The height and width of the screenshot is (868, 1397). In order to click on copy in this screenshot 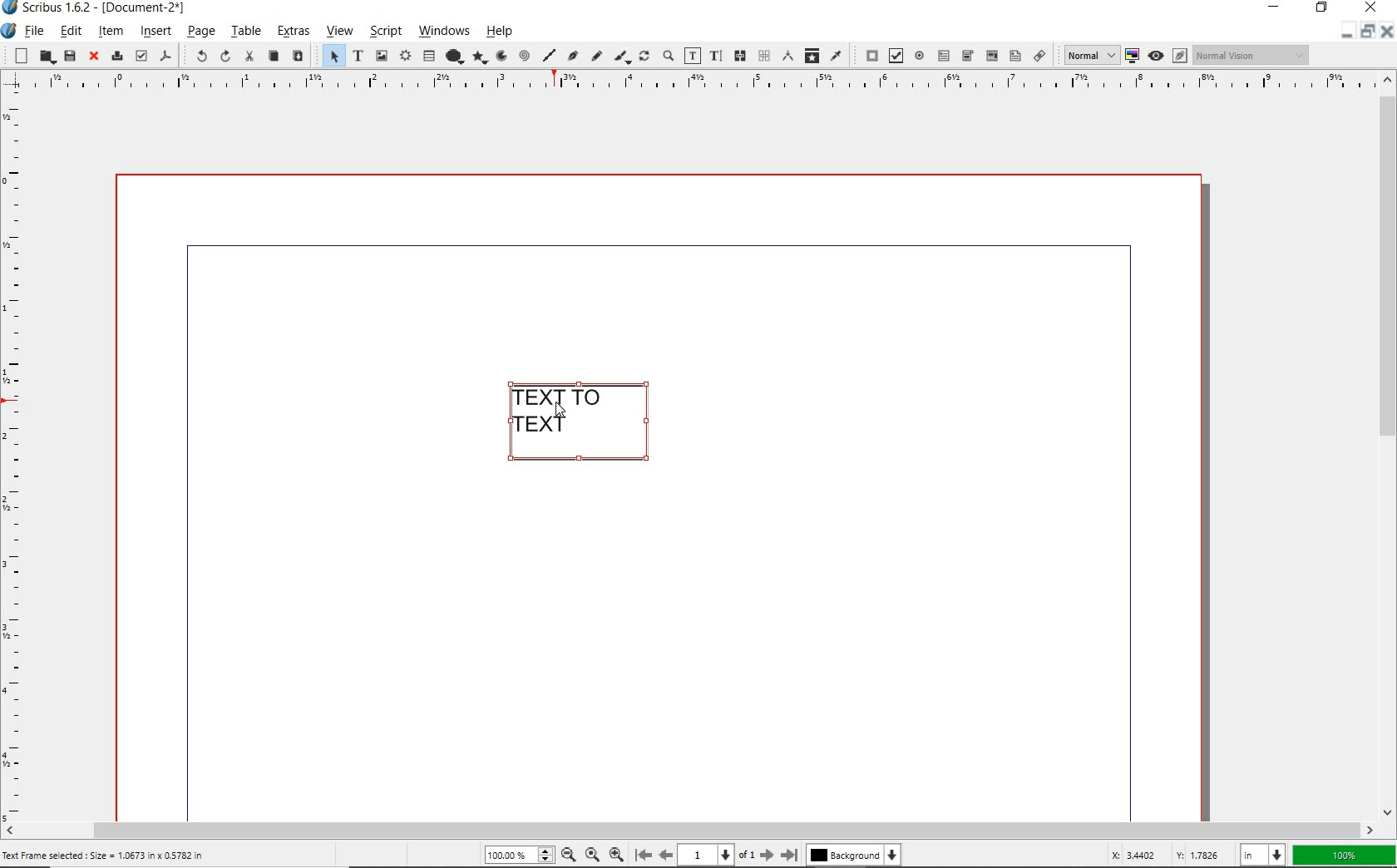, I will do `click(274, 57)`.